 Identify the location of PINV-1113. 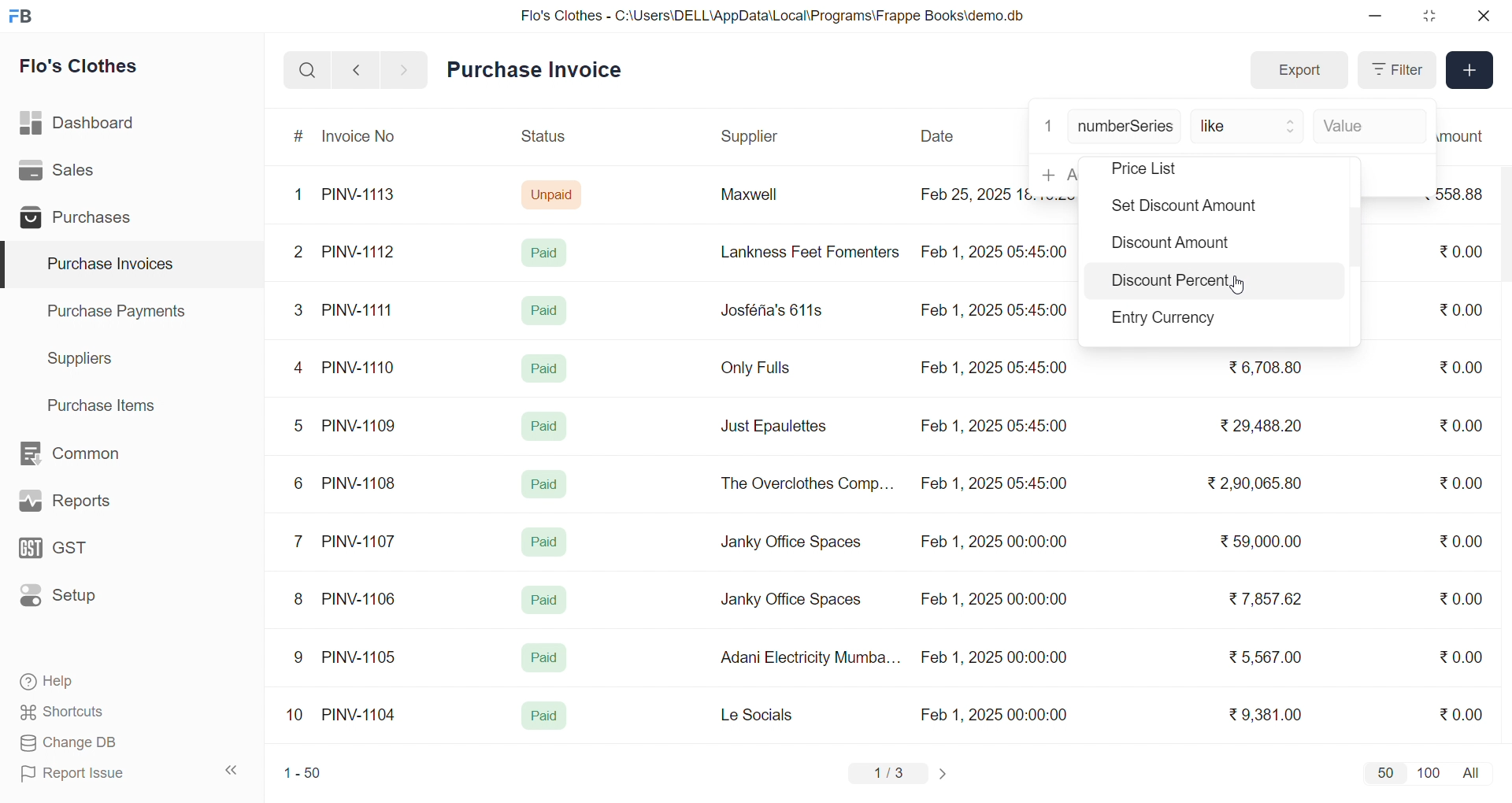
(365, 196).